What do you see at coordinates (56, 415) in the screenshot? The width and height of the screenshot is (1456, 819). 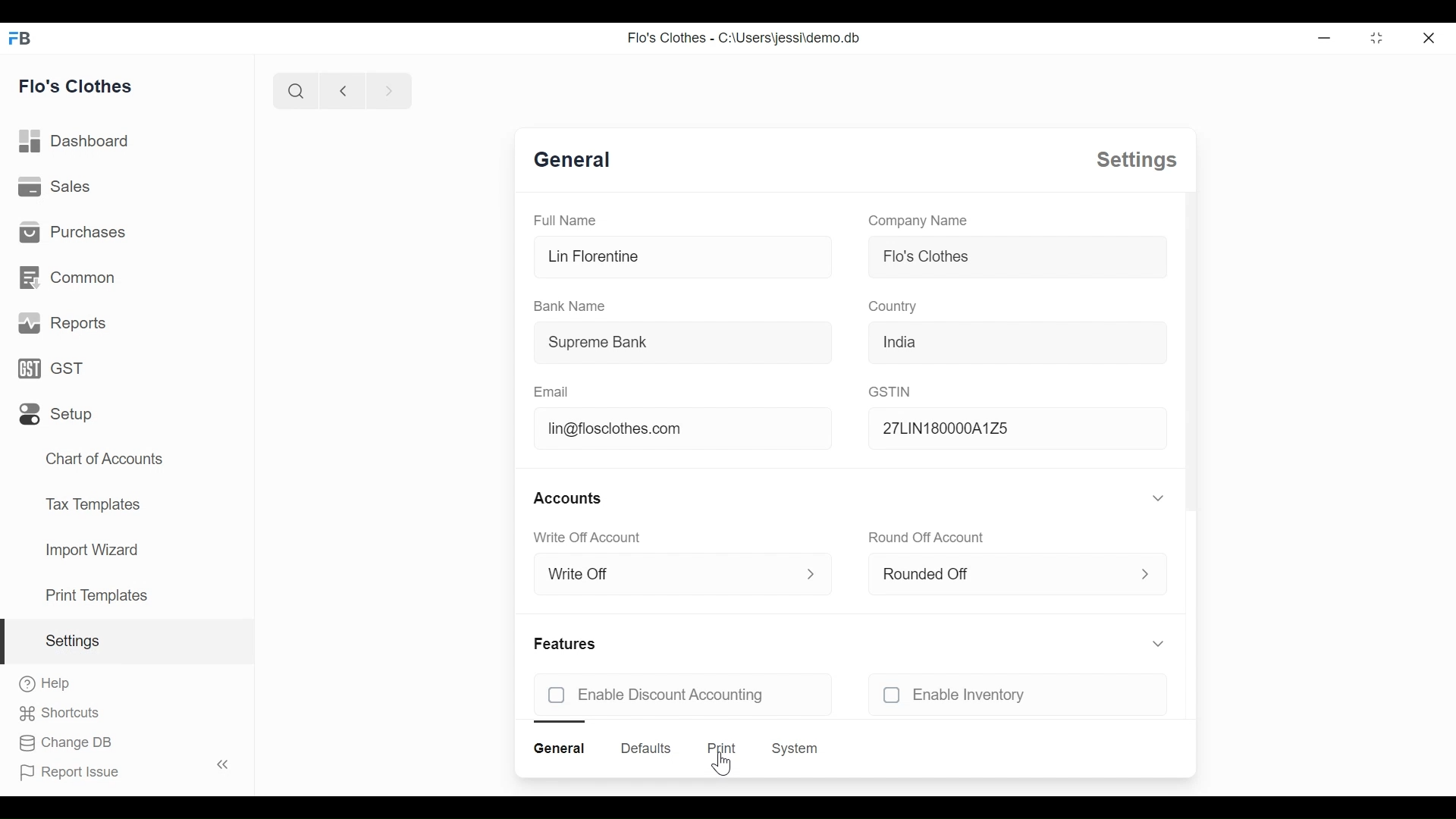 I see `setup` at bounding box center [56, 415].